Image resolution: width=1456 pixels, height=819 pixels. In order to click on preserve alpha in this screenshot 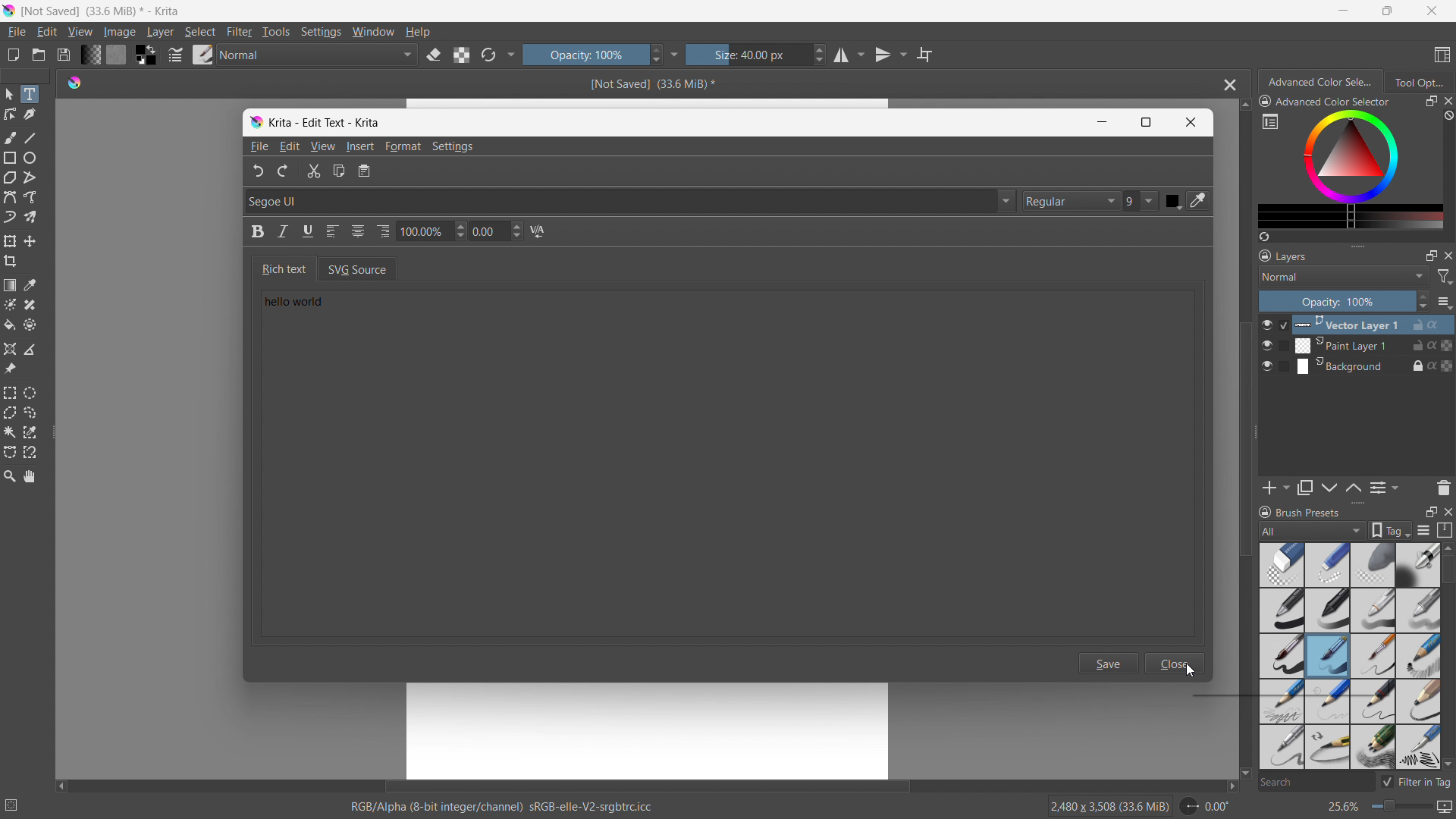, I will do `click(461, 55)`.